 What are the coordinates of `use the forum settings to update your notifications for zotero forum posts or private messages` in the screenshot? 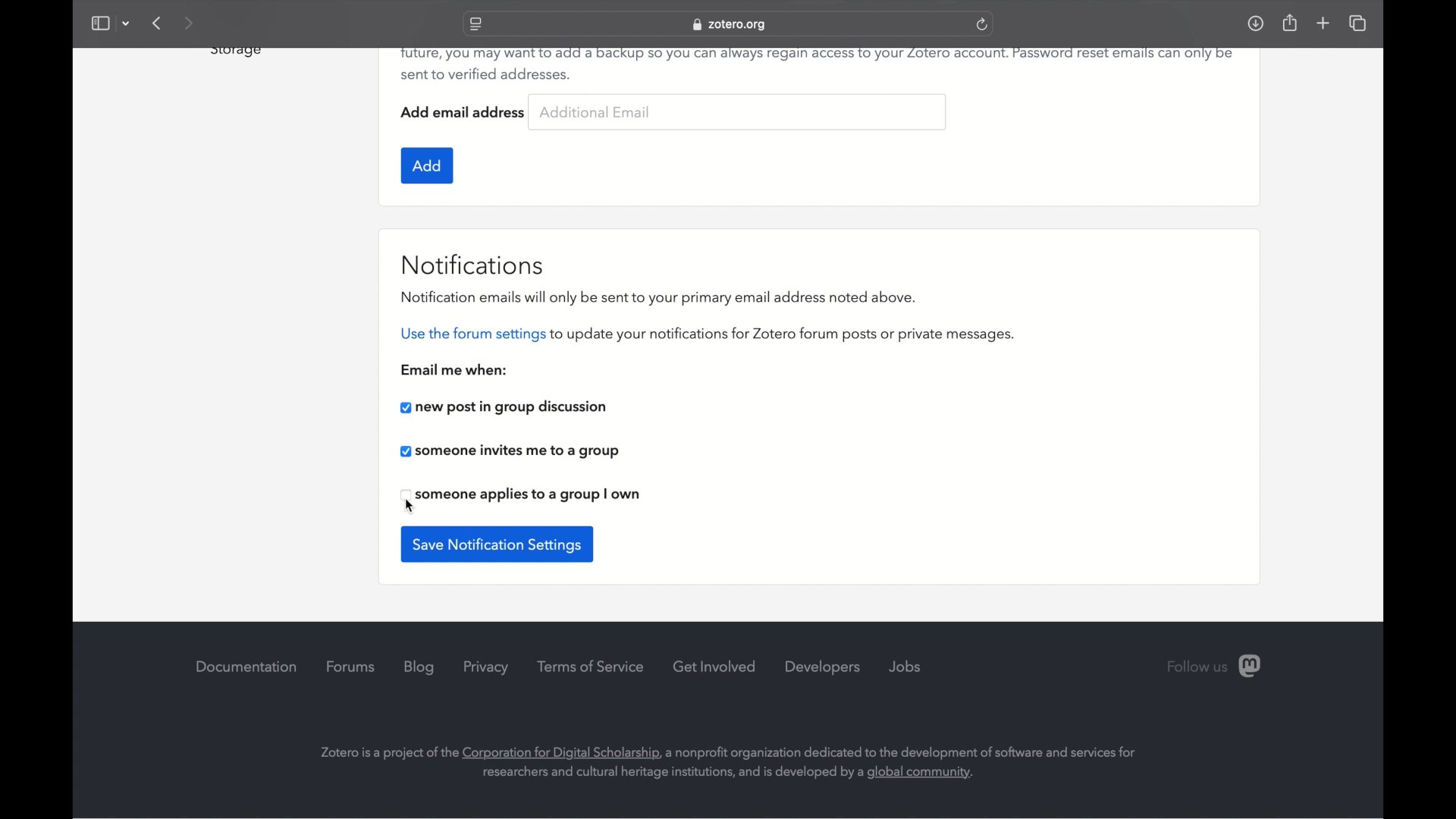 It's located at (707, 334).